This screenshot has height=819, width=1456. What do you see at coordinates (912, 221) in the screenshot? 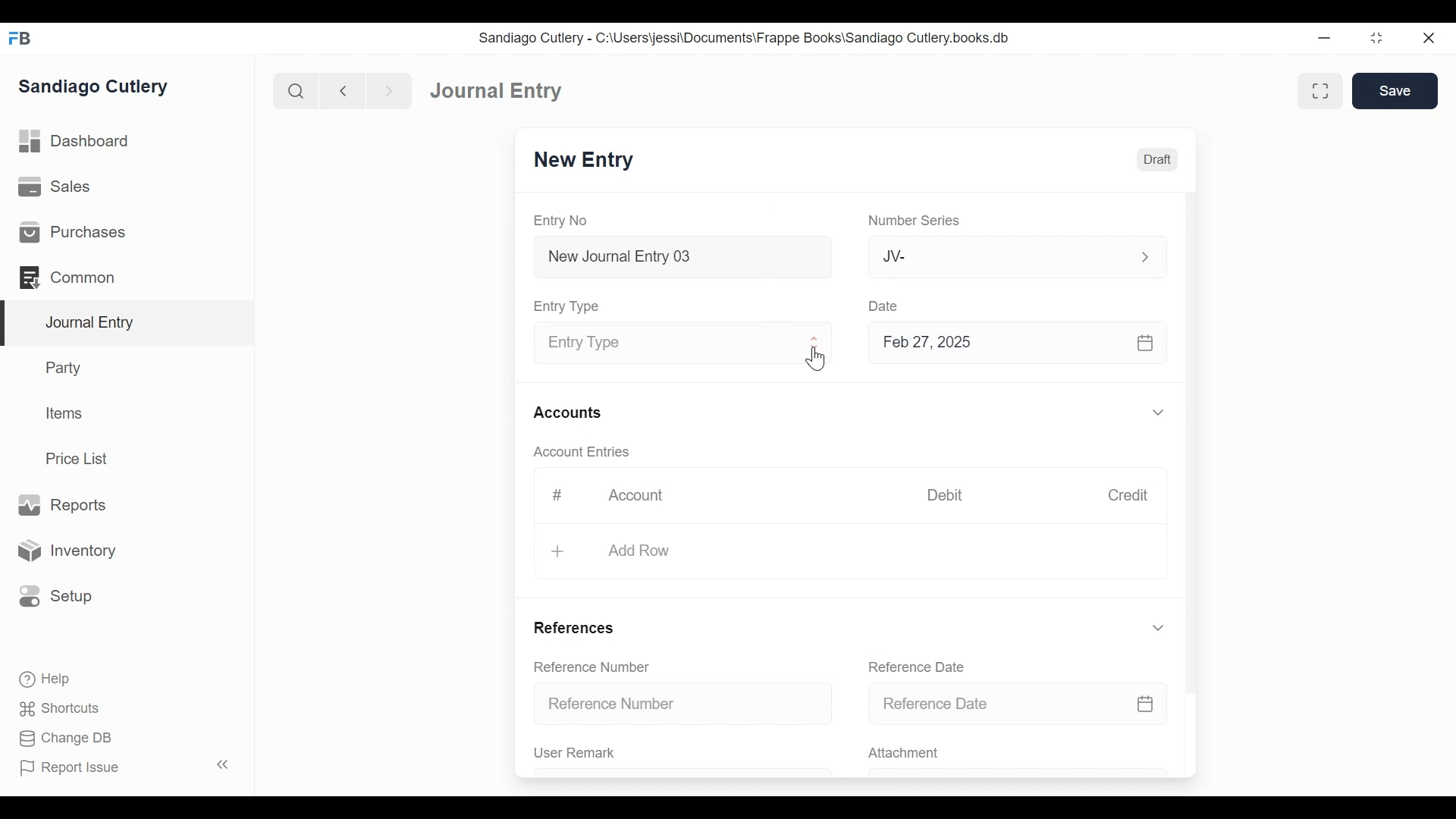
I see `Number Series` at bounding box center [912, 221].